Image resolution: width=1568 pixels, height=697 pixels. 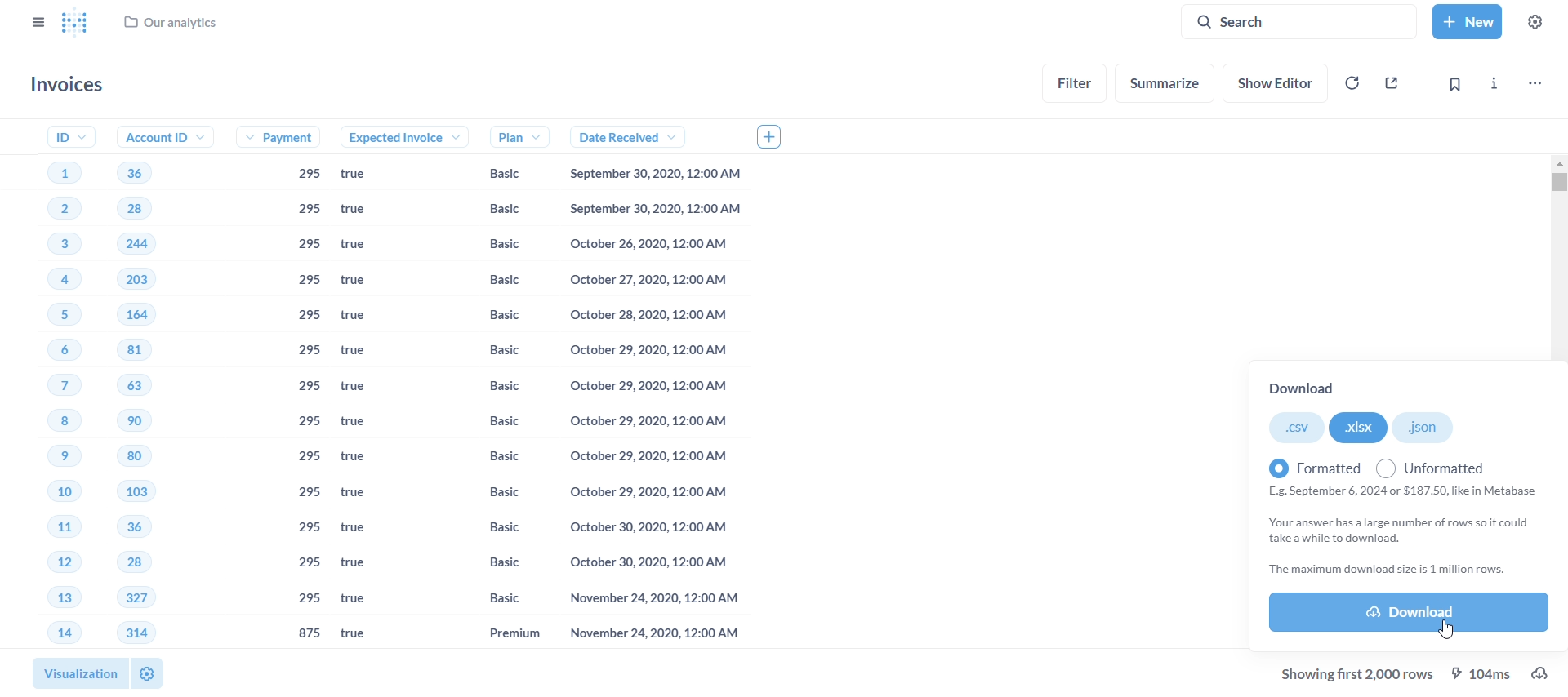 I want to click on 80, so click(x=134, y=459).